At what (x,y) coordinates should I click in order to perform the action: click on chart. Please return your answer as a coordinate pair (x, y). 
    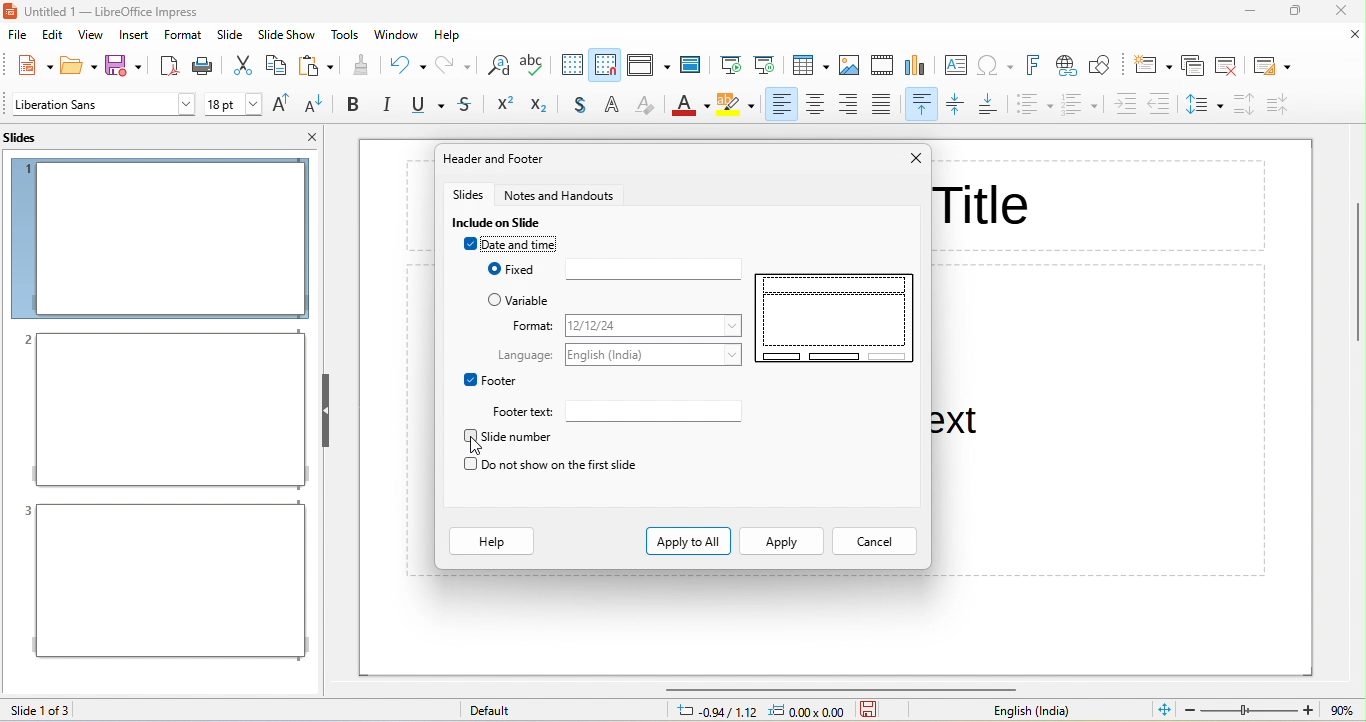
    Looking at the image, I should click on (919, 67).